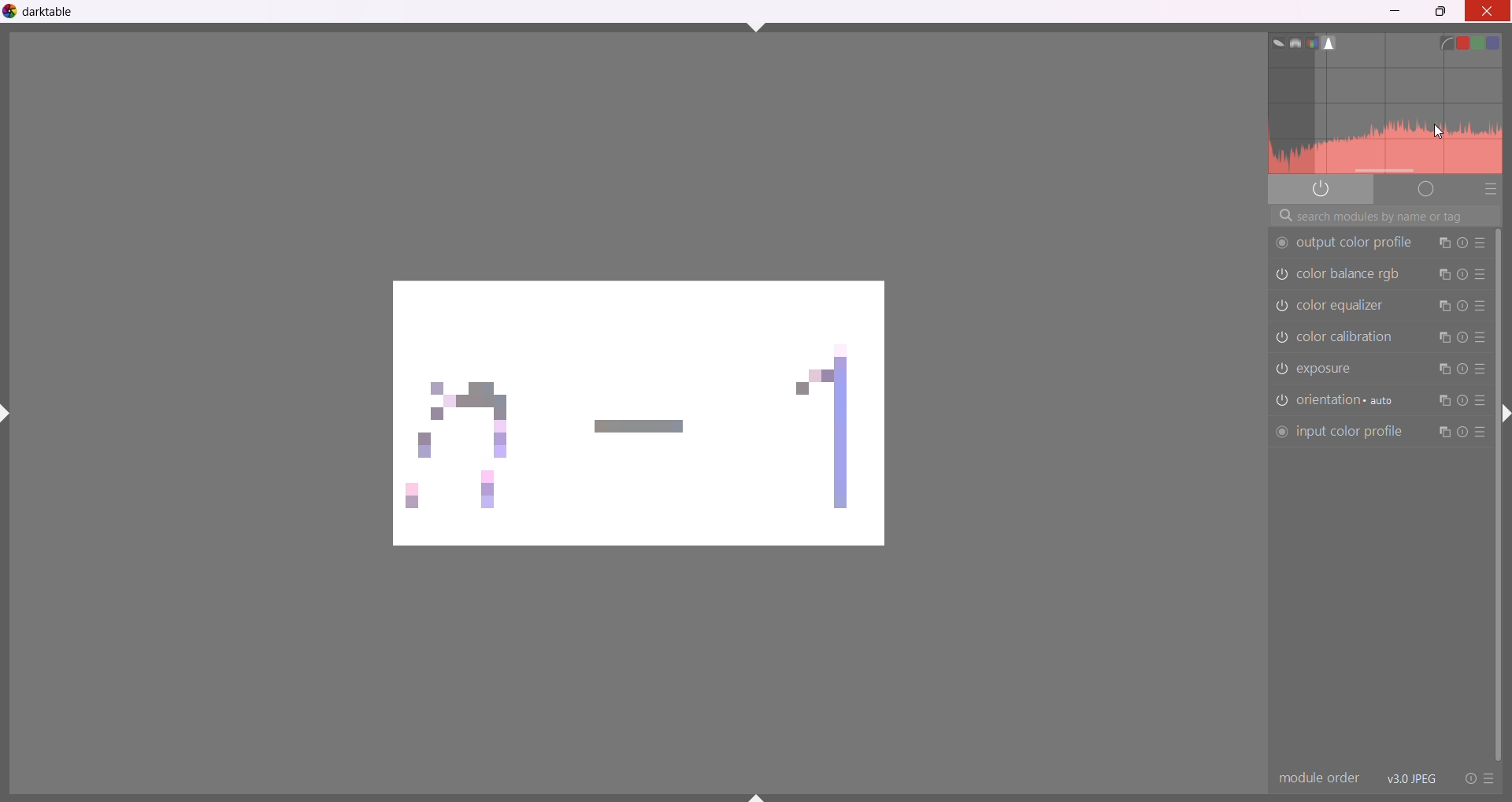 This screenshot has height=802, width=1512. I want to click on cursor, so click(1442, 133).